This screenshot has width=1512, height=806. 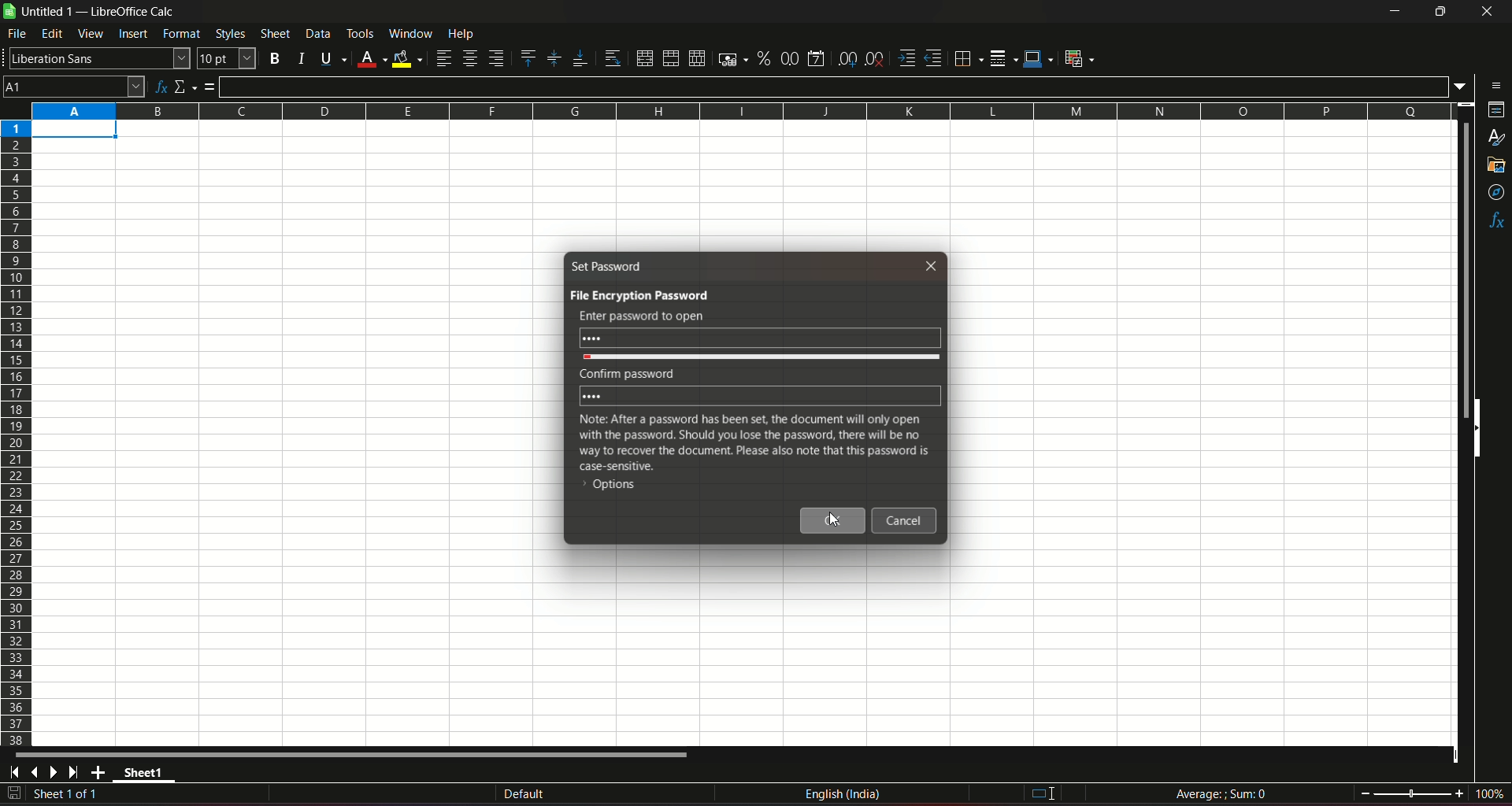 What do you see at coordinates (1480, 431) in the screenshot?
I see `hide` at bounding box center [1480, 431].